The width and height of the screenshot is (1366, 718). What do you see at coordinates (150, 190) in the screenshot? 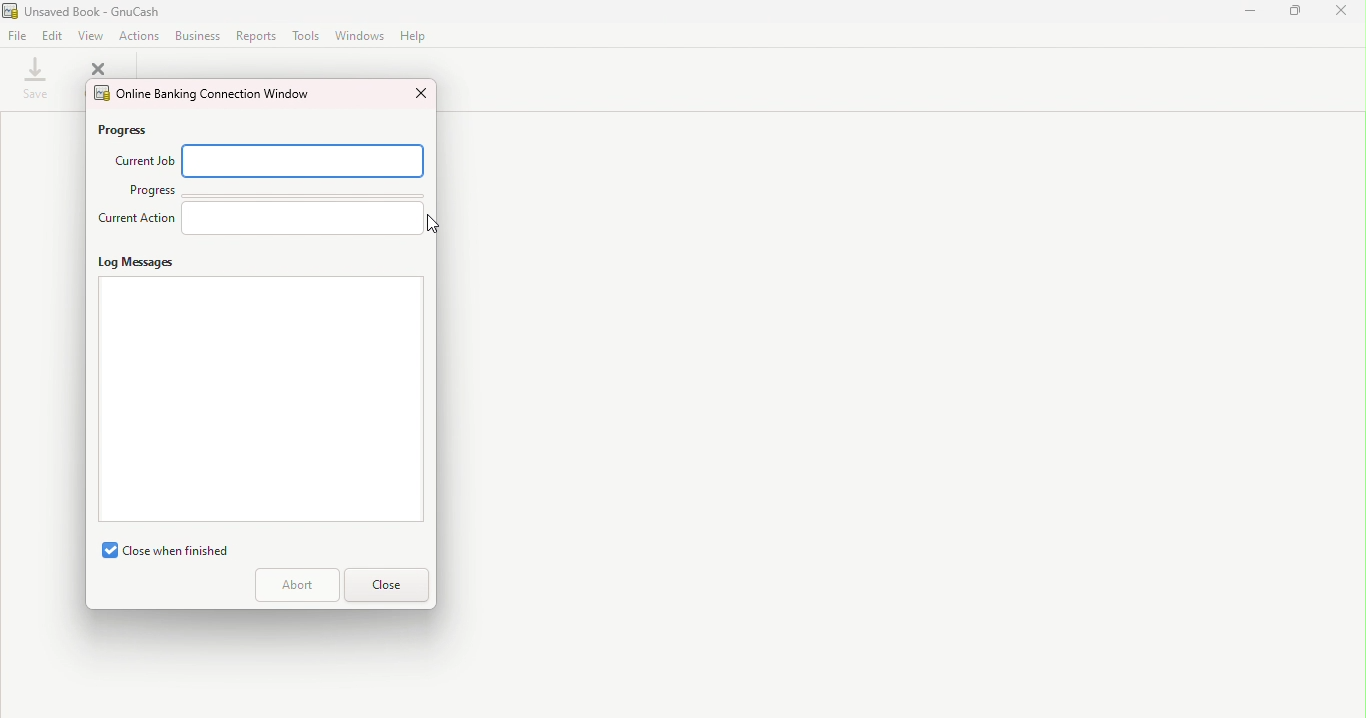
I see `Progress` at bounding box center [150, 190].